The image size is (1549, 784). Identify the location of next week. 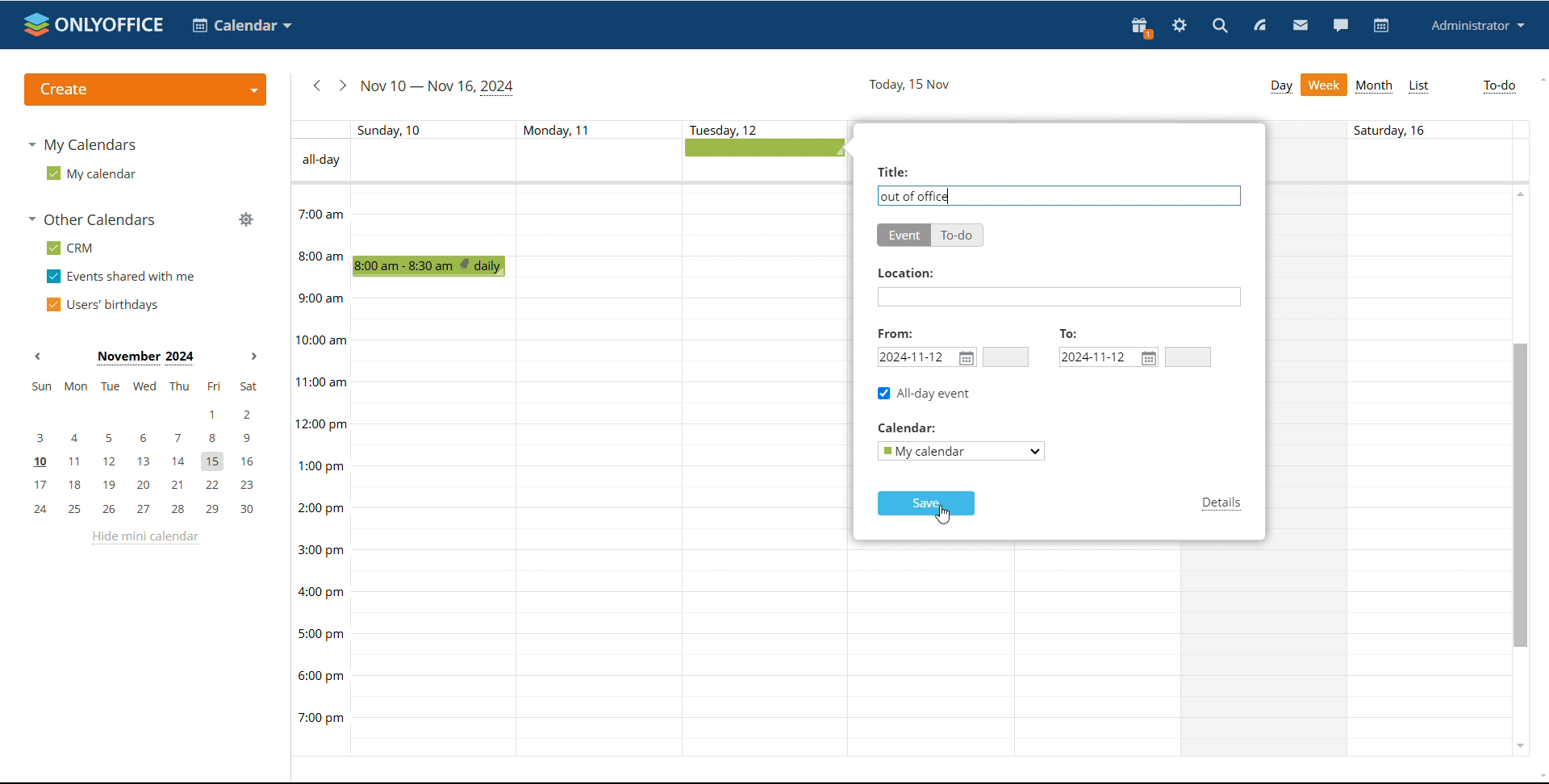
(341, 86).